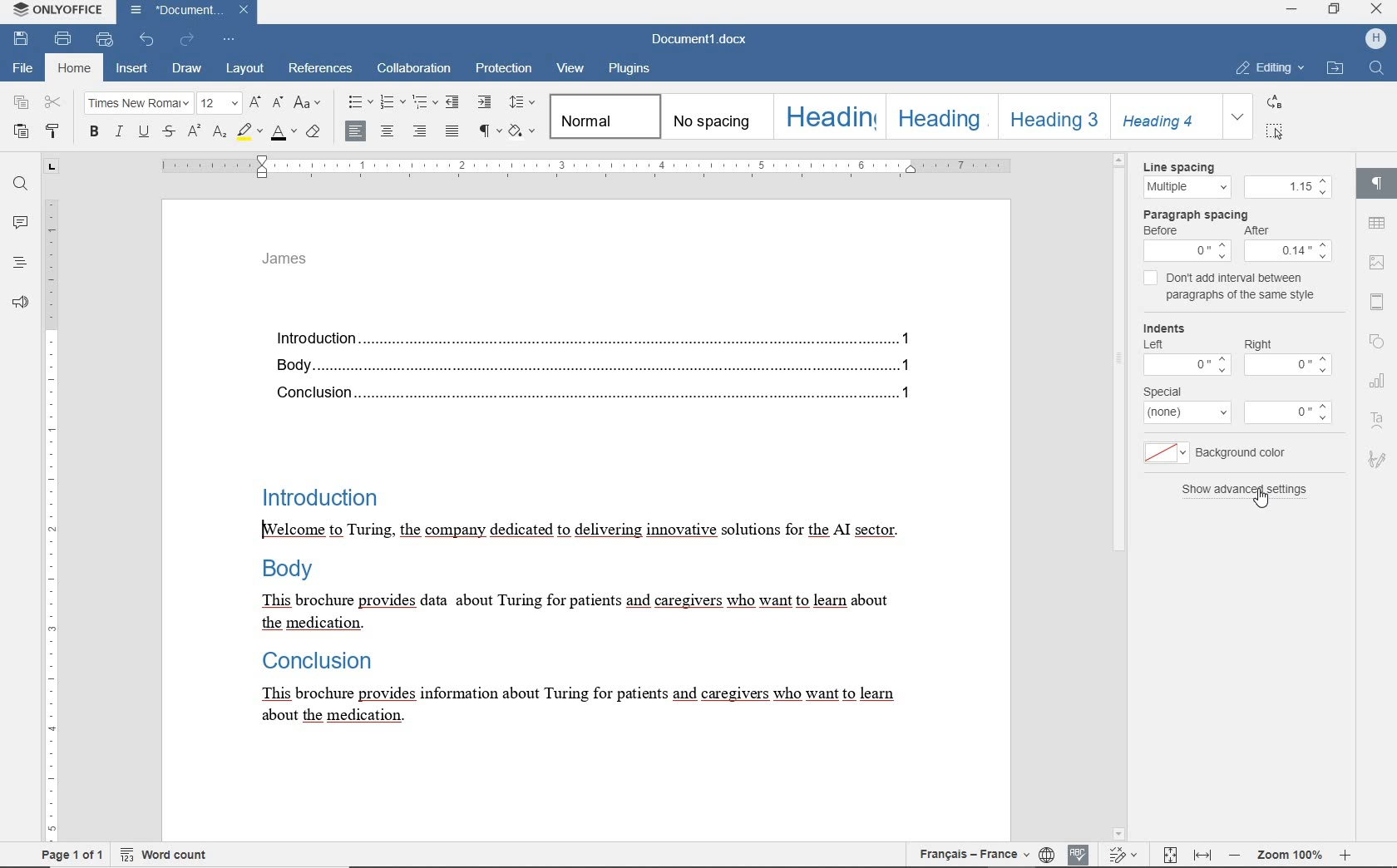 Image resolution: width=1397 pixels, height=868 pixels. I want to click on show advanced settings, so click(1246, 491).